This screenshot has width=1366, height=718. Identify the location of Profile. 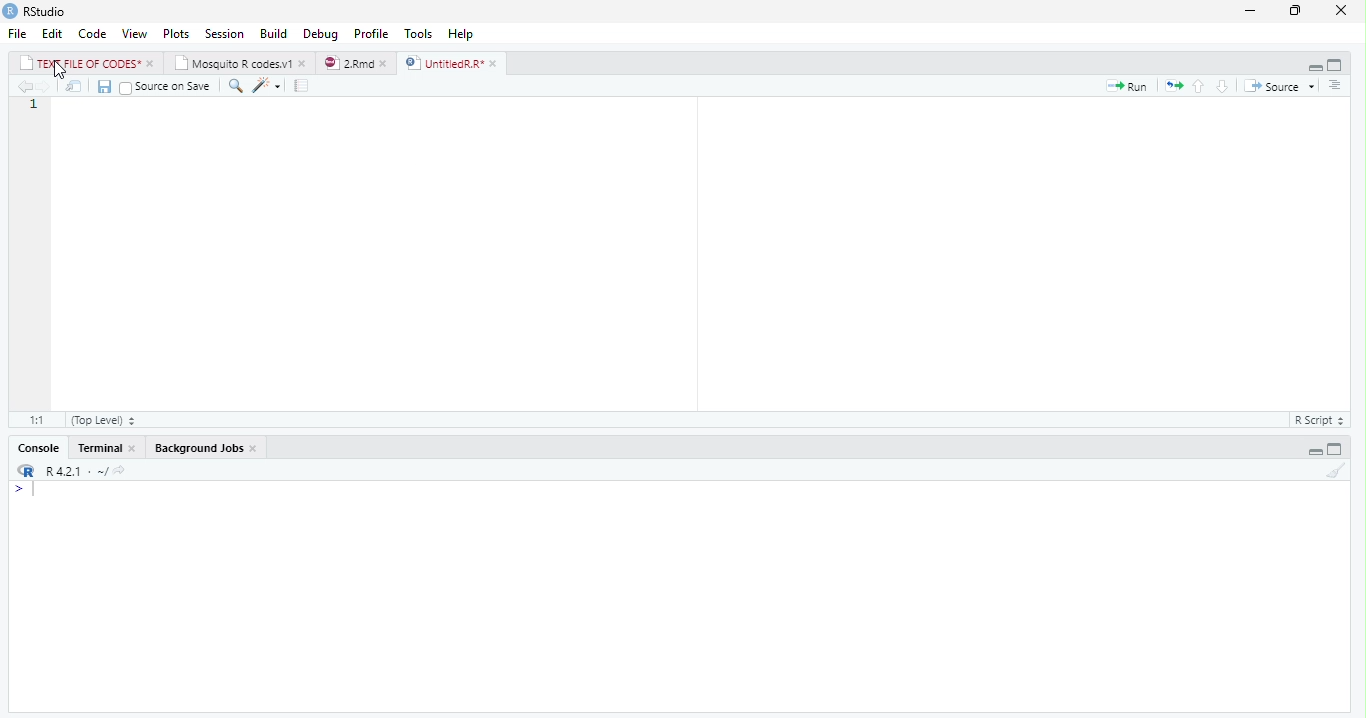
(372, 32).